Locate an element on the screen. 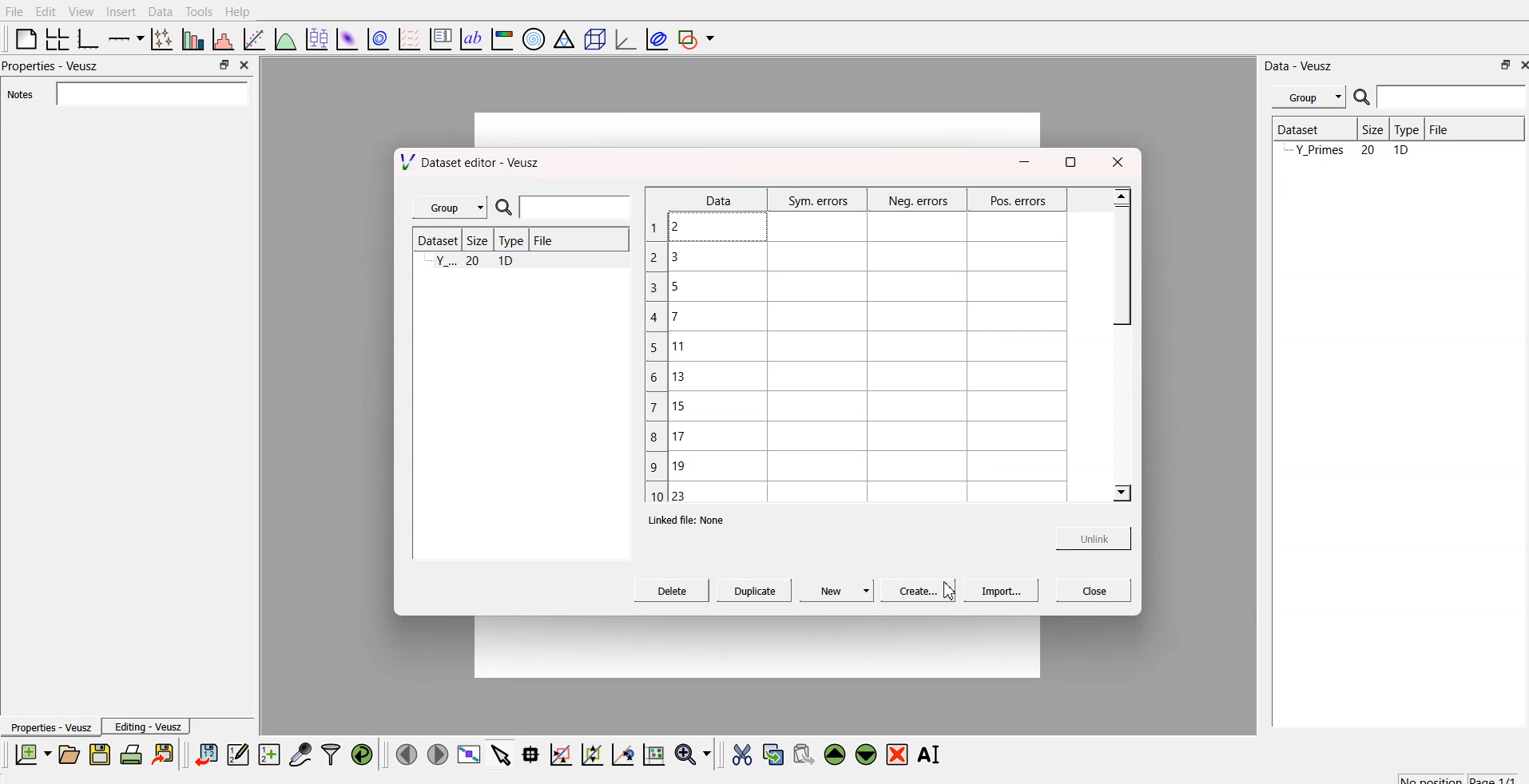 This screenshot has height=784, width=1529. export to graphics format is located at coordinates (166, 754).